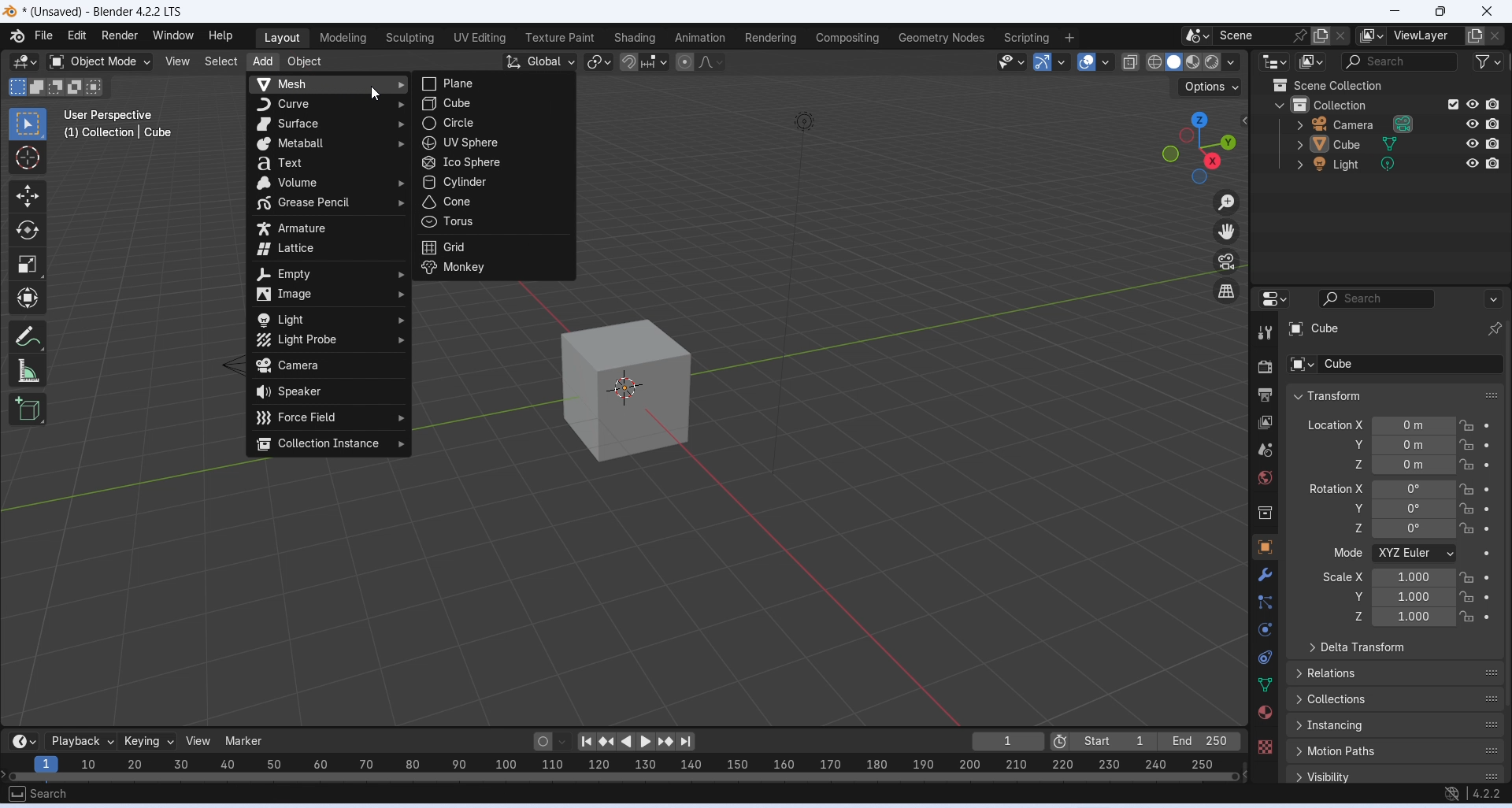 The height and width of the screenshot is (808, 1512). I want to click on rotation x, so click(1336, 488).